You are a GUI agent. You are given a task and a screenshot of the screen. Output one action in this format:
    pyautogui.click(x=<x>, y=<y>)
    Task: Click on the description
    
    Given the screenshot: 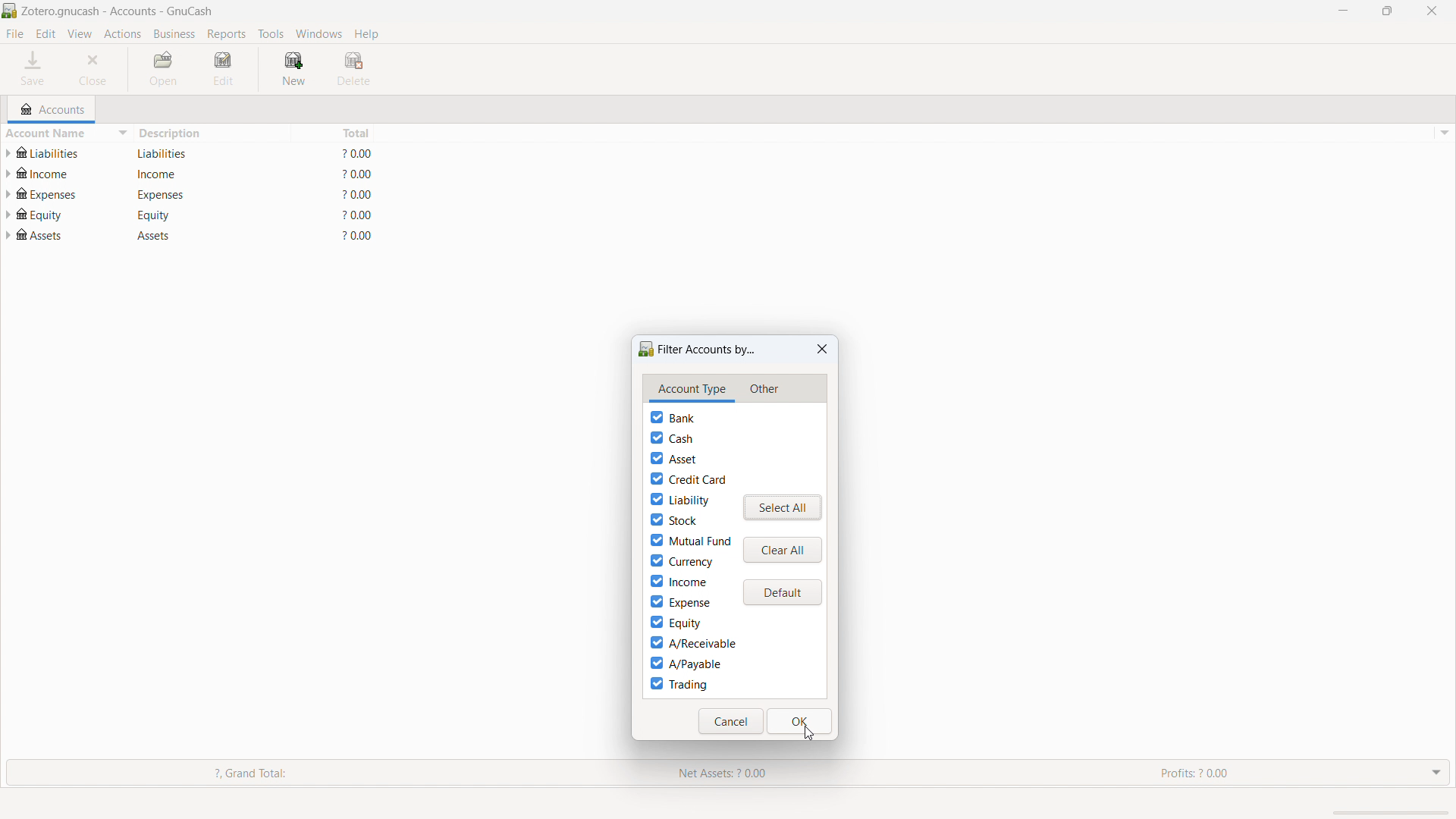 What is the action you would take?
    pyautogui.click(x=170, y=198)
    